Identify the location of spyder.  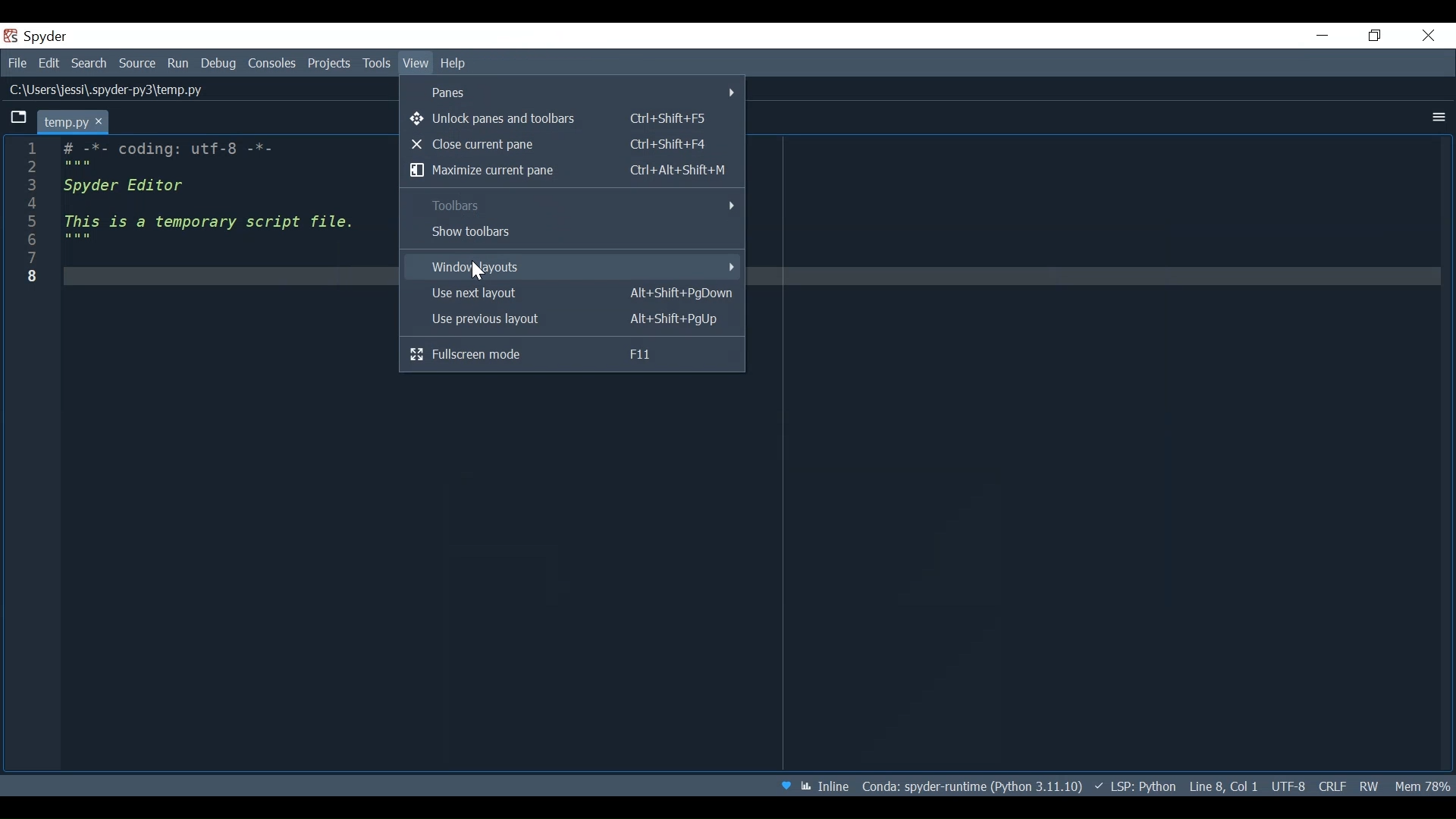
(54, 36).